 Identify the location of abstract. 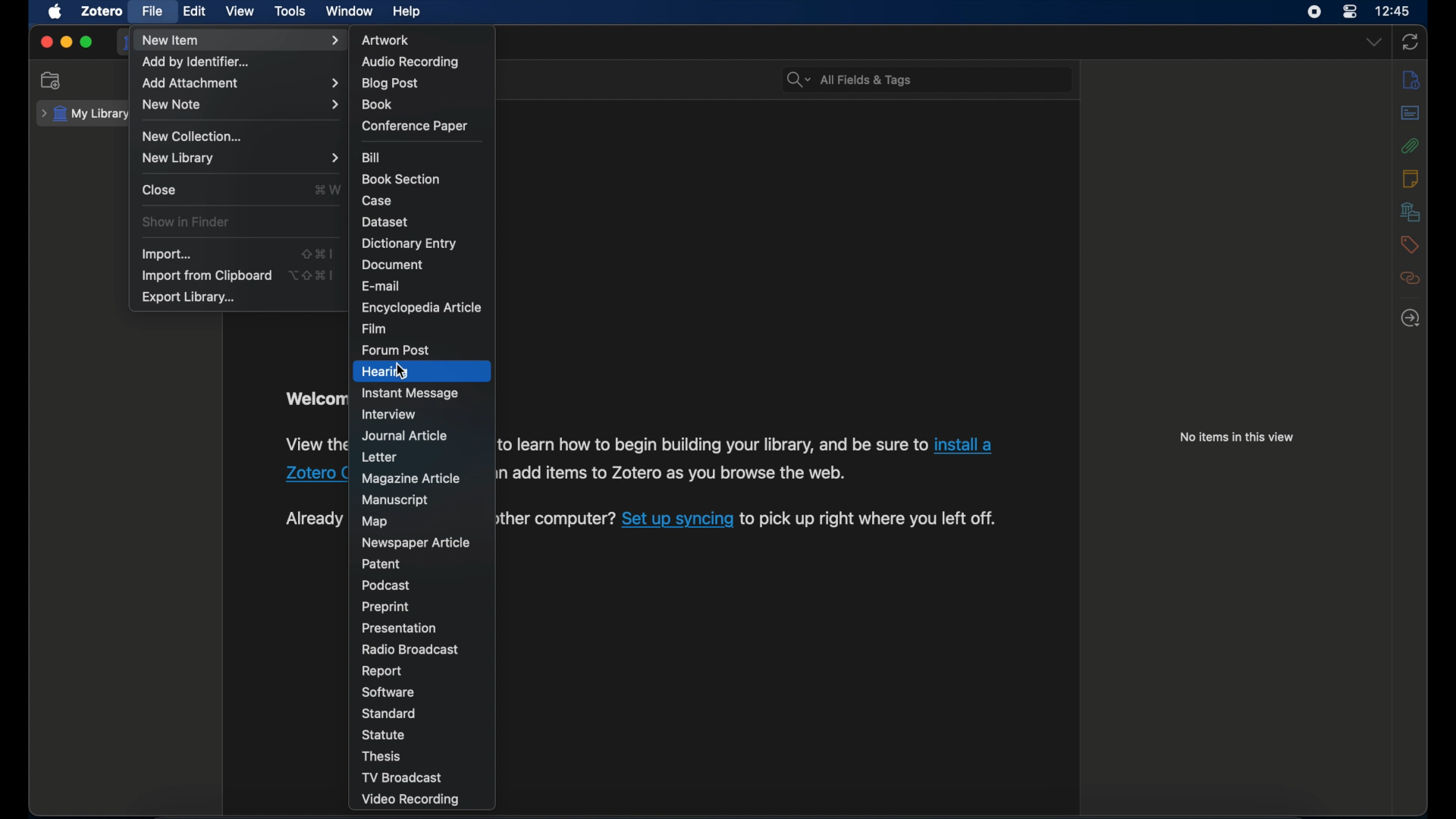
(1411, 112).